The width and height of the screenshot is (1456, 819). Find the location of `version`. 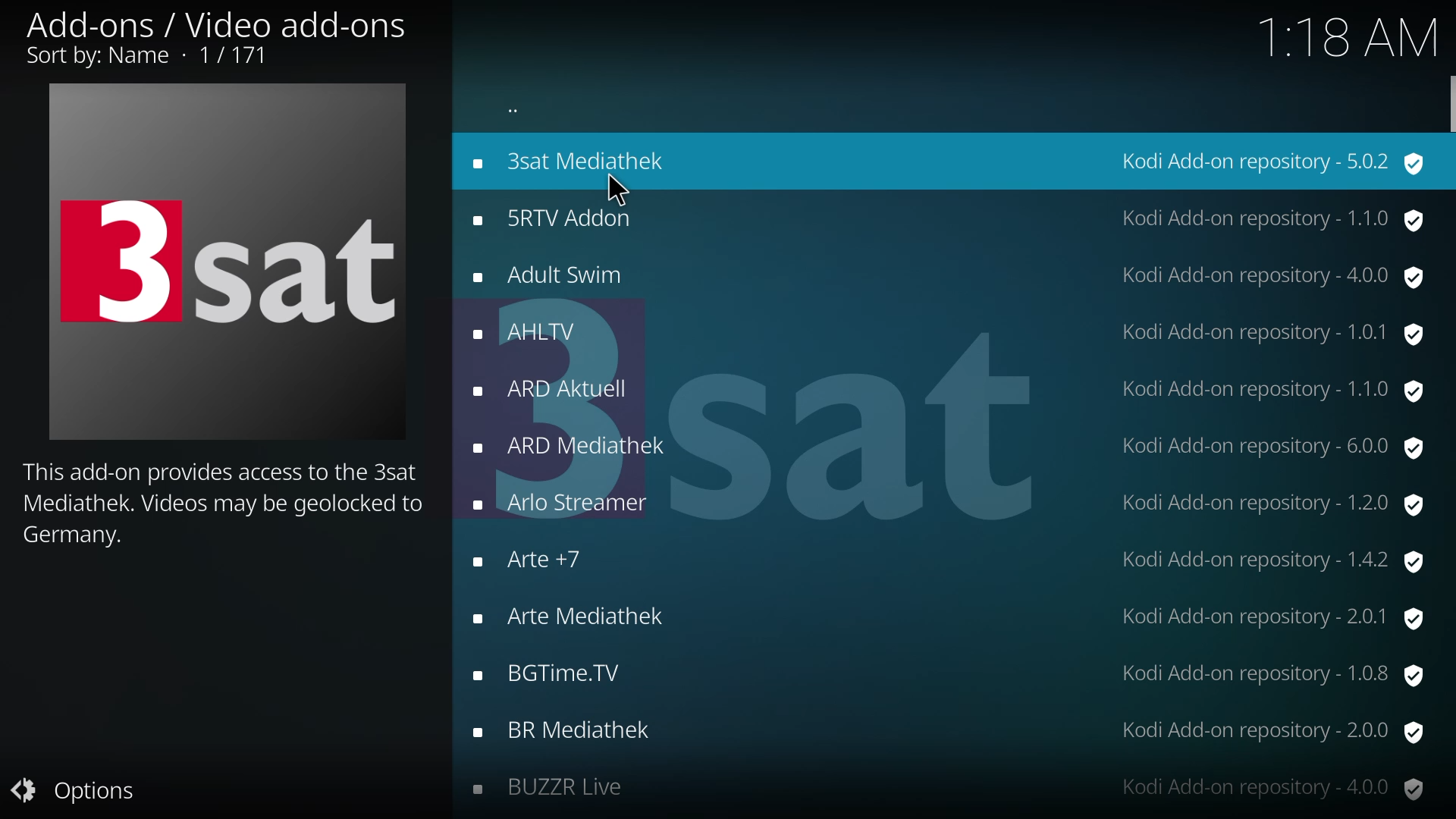

version is located at coordinates (1267, 221).